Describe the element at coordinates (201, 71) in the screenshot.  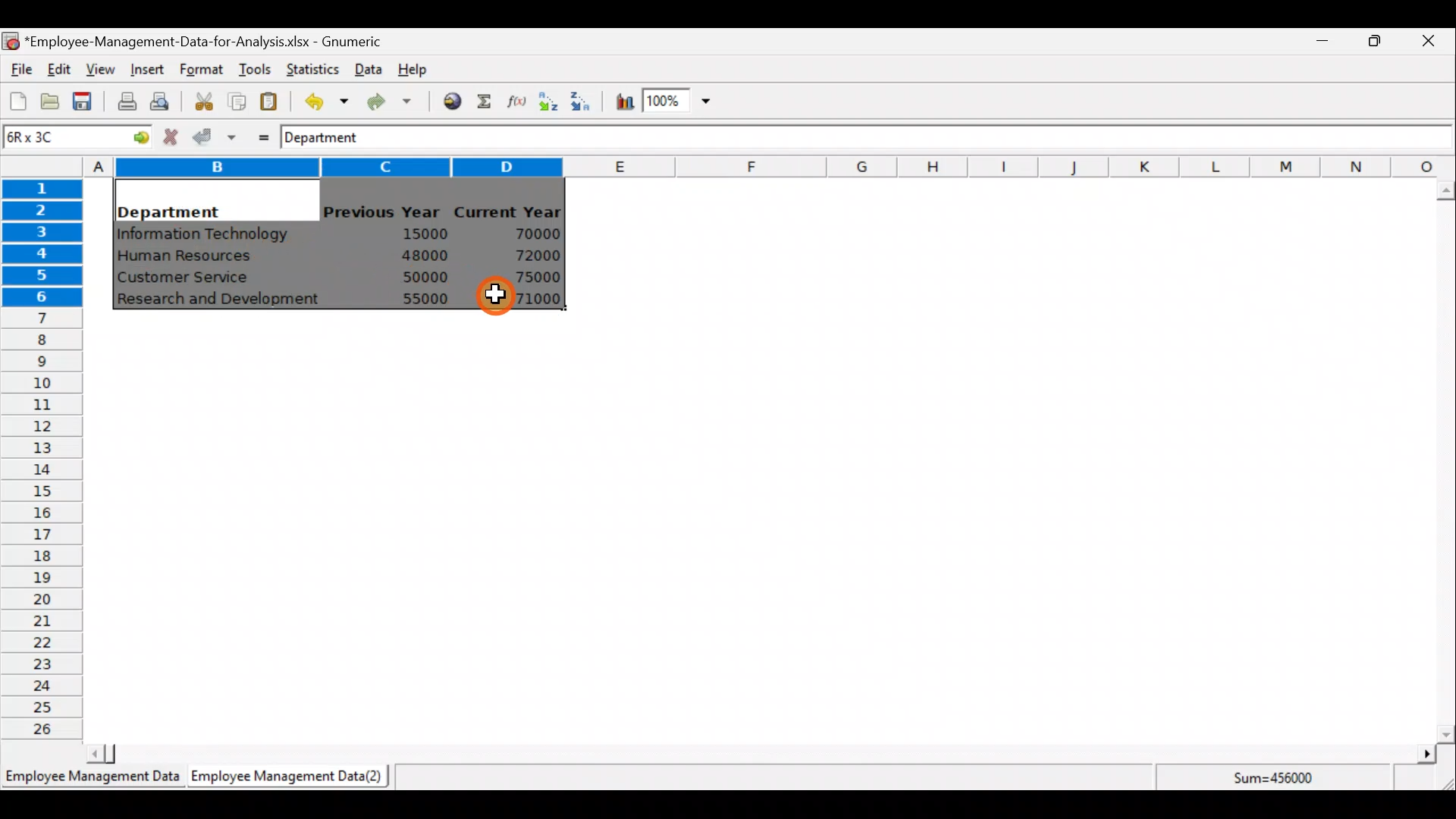
I see `Format` at that location.